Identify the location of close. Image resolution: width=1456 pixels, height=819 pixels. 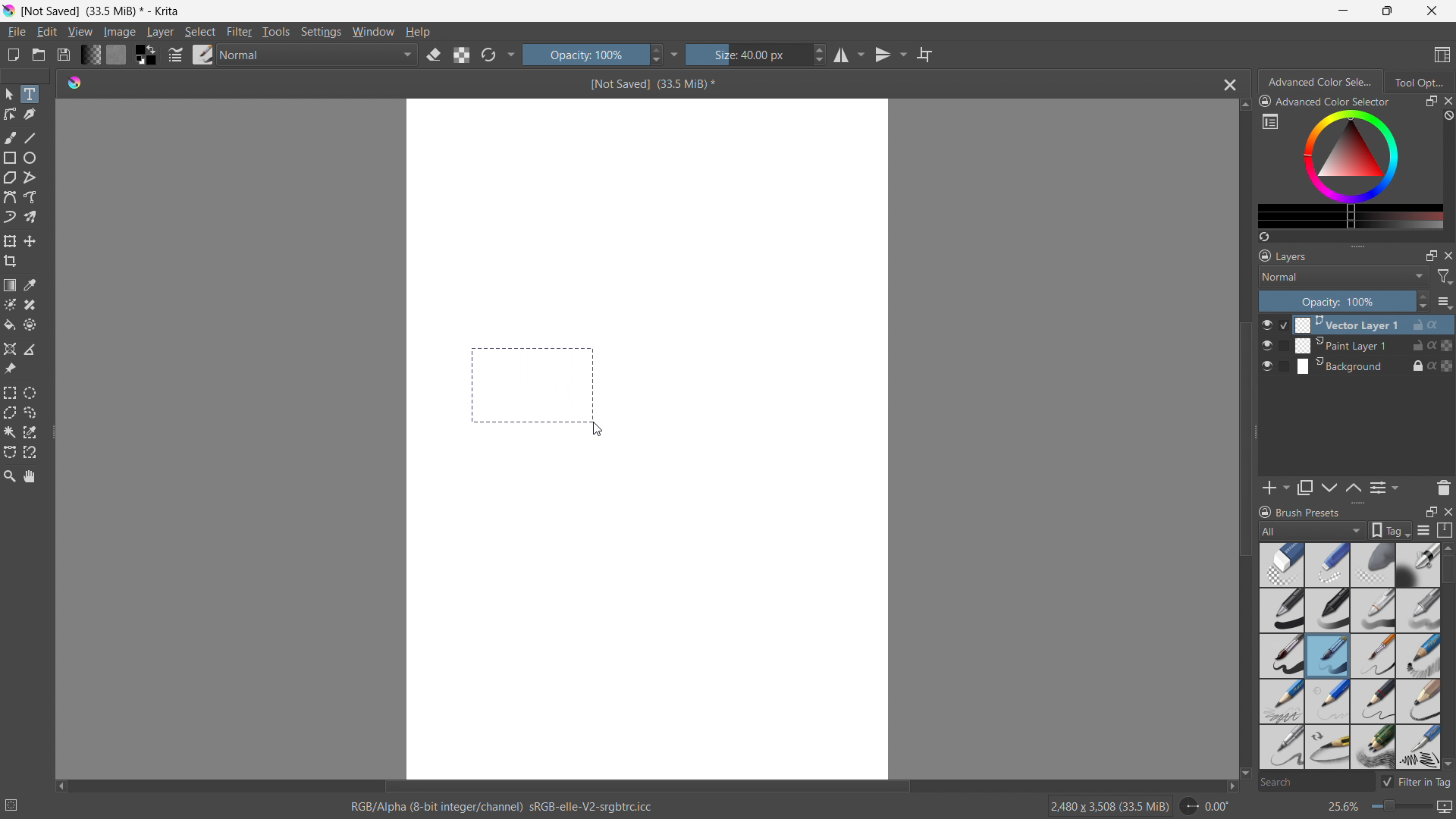
(1447, 255).